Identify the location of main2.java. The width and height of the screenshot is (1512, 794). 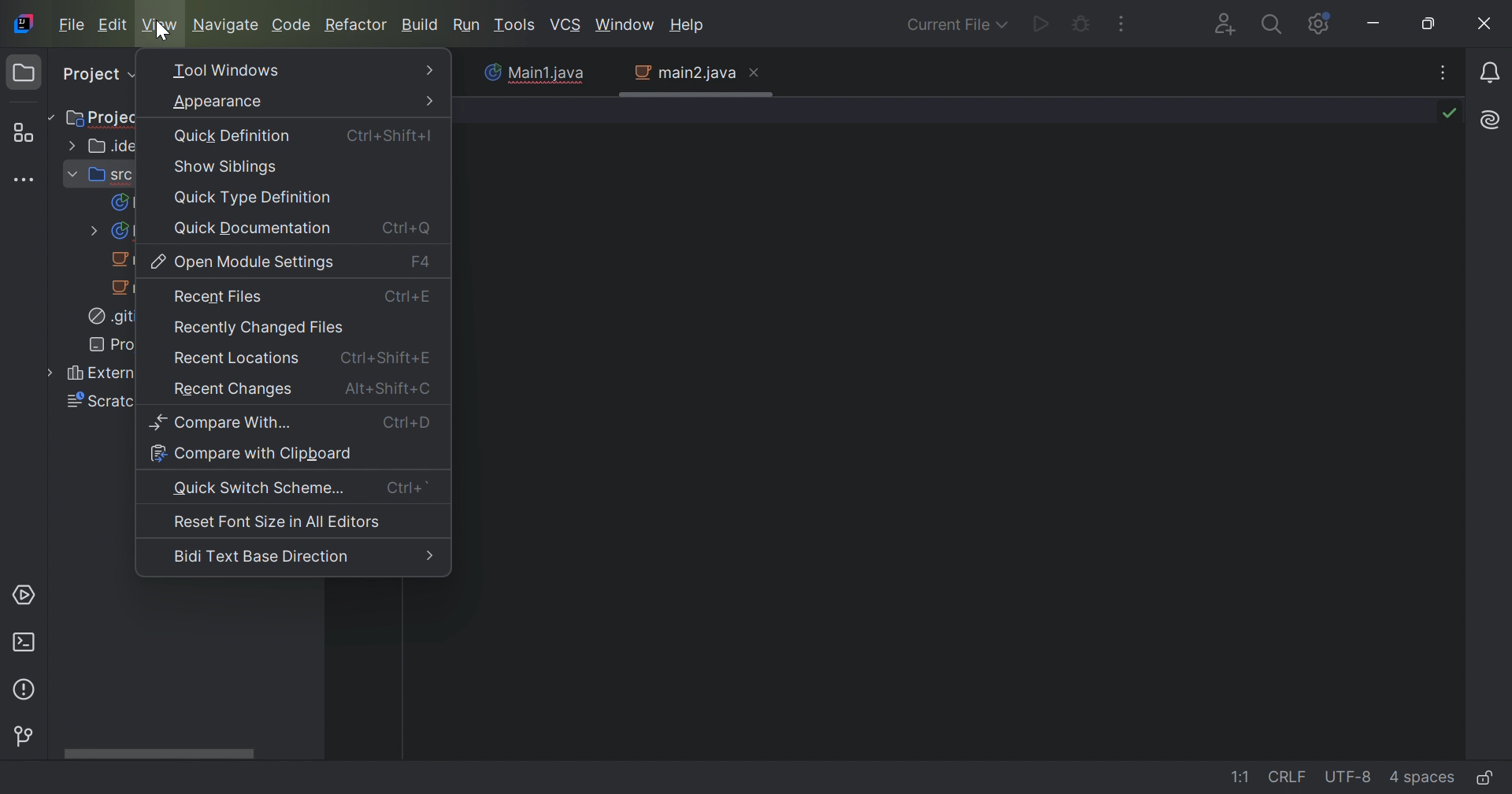
(684, 73).